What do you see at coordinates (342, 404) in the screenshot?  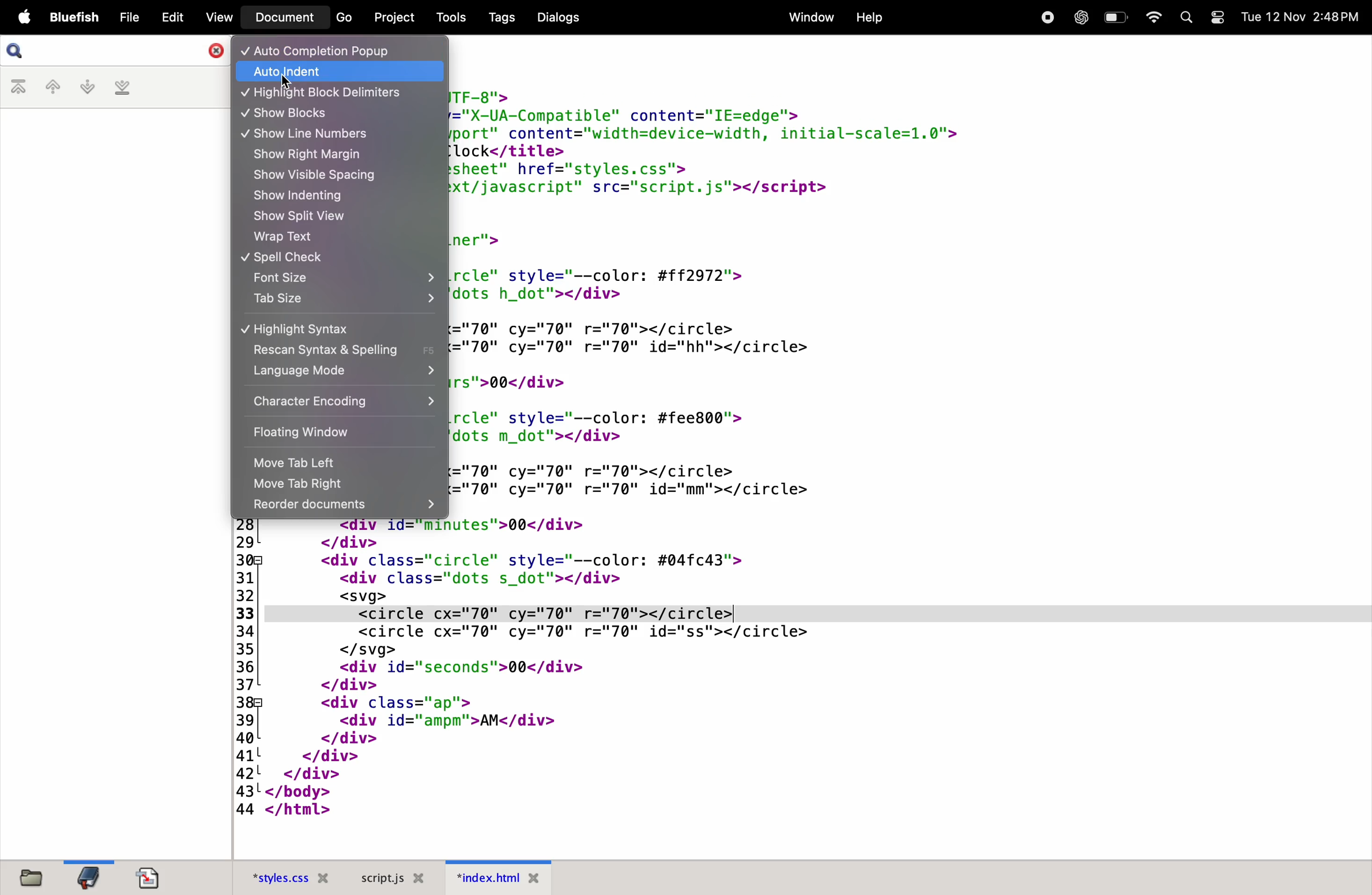 I see `character encoding` at bounding box center [342, 404].